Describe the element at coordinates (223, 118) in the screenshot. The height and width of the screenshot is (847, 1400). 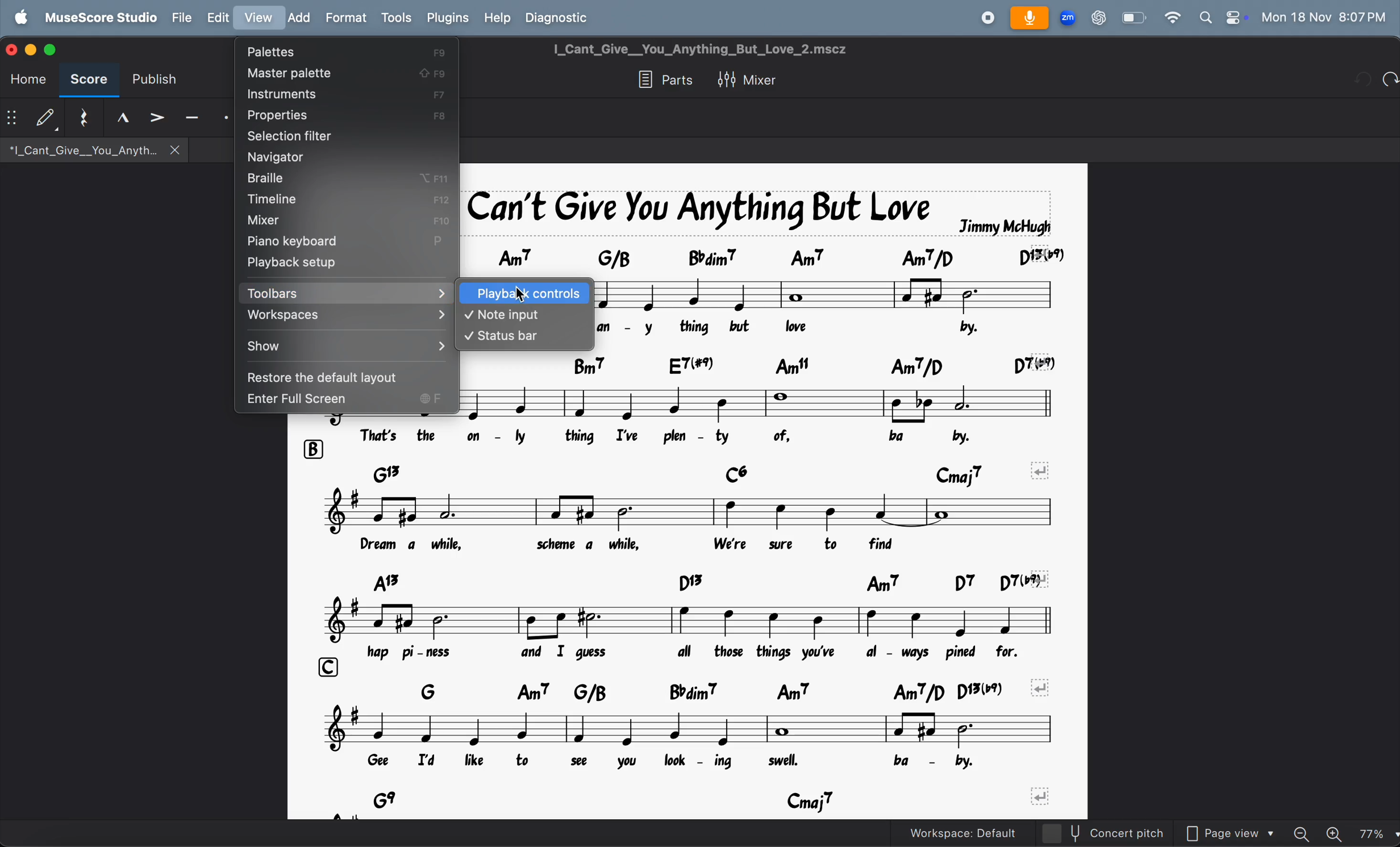
I see `staccato` at that location.